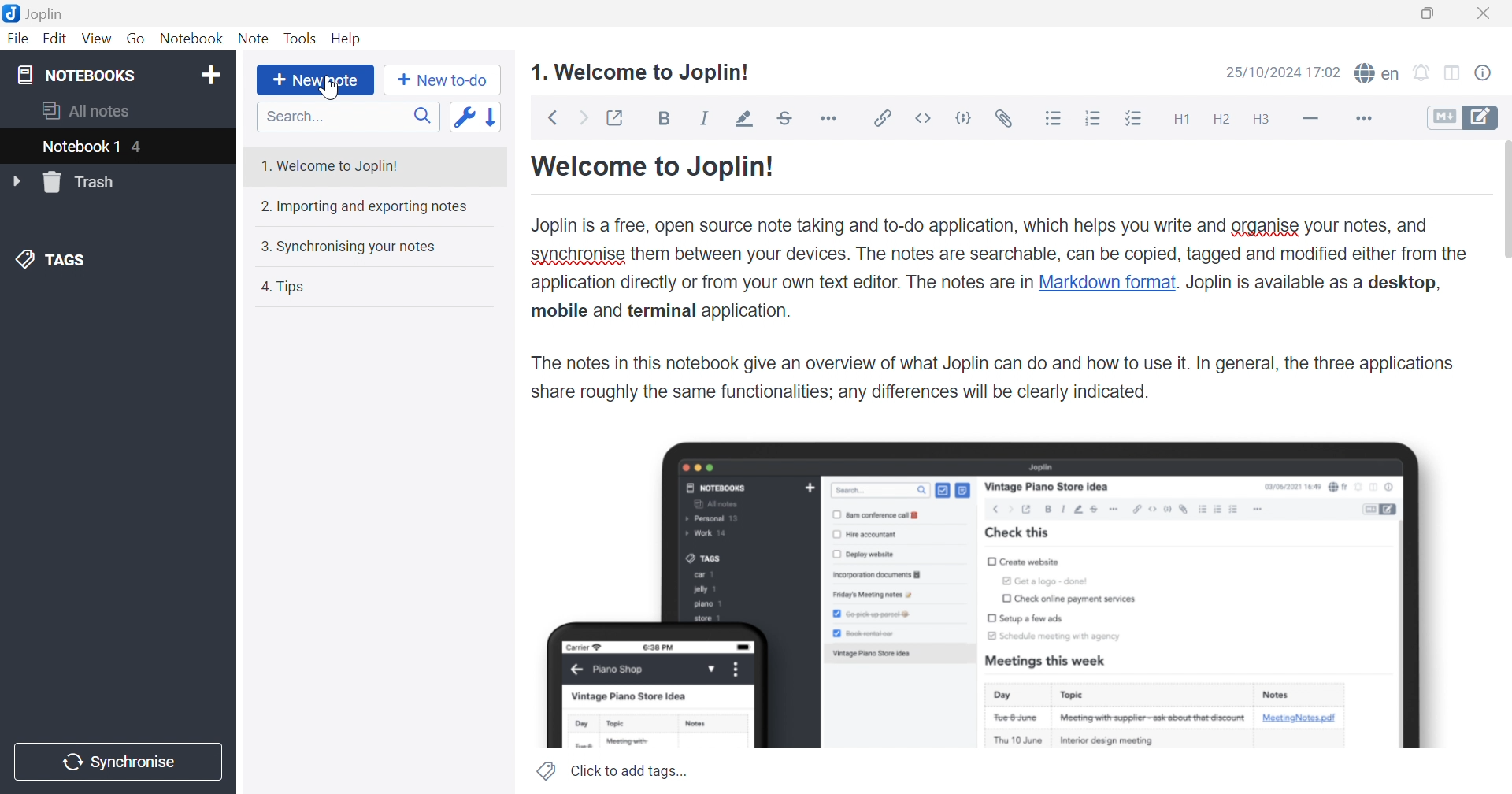 The width and height of the screenshot is (1512, 794). What do you see at coordinates (1180, 118) in the screenshot?
I see `Heading 1` at bounding box center [1180, 118].